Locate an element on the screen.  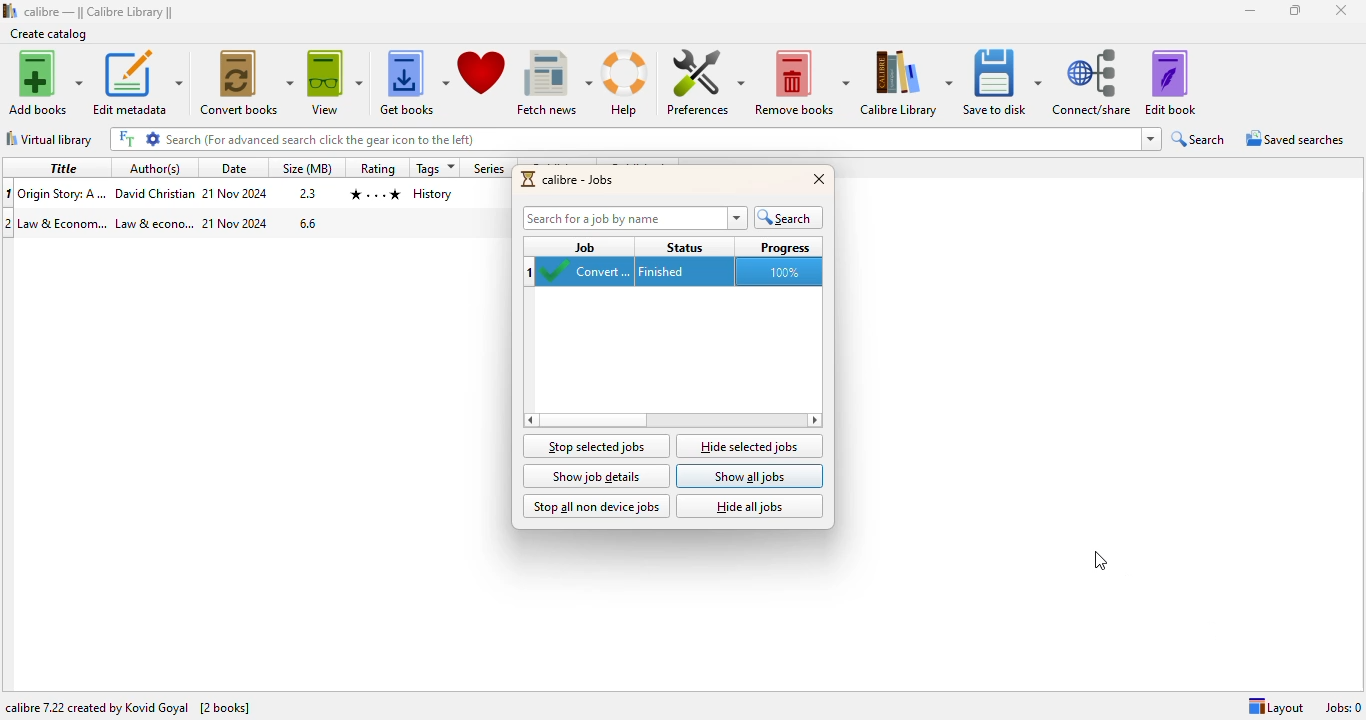
convert books is located at coordinates (246, 83).